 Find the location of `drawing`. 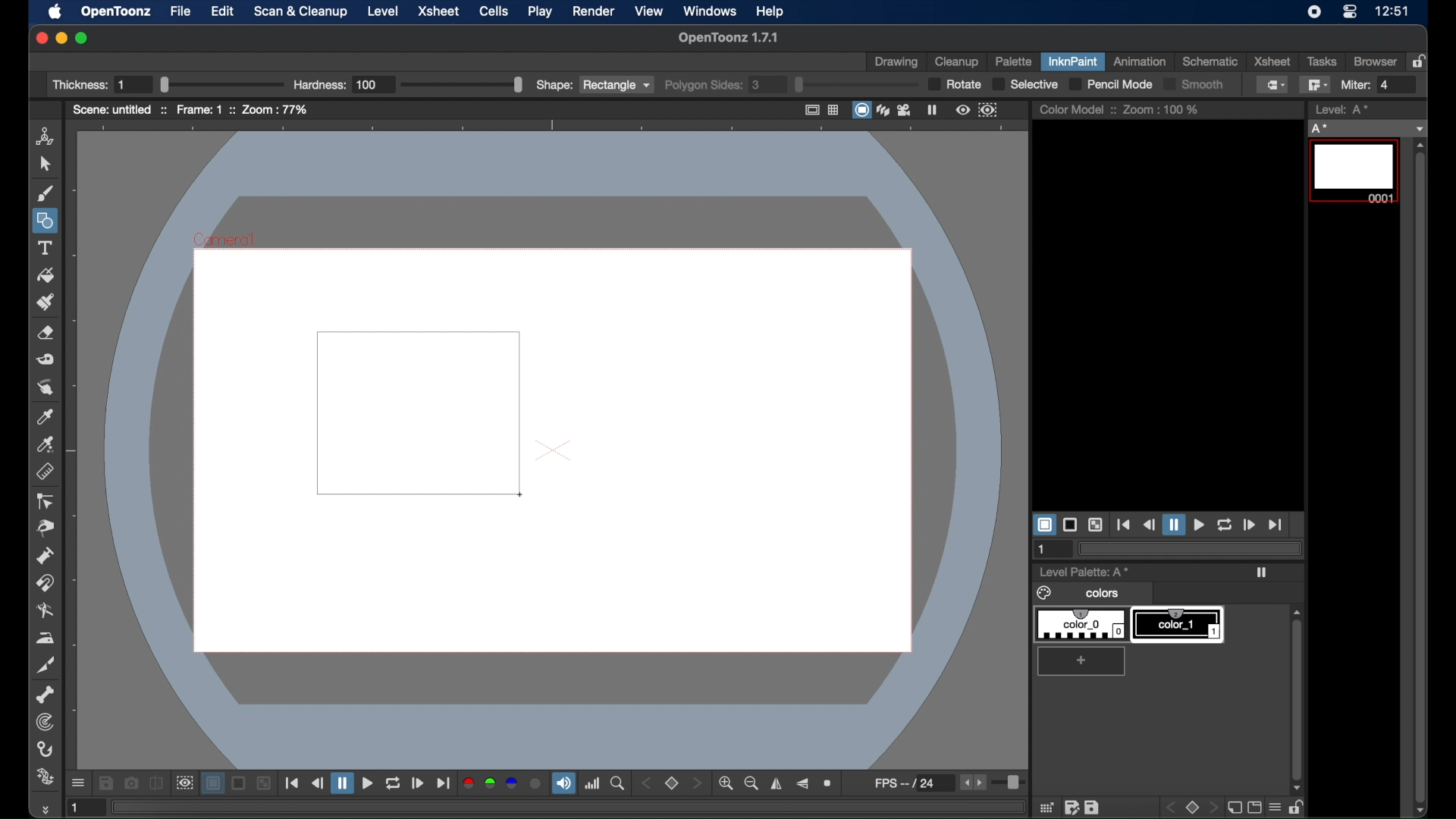

drawing is located at coordinates (896, 63).